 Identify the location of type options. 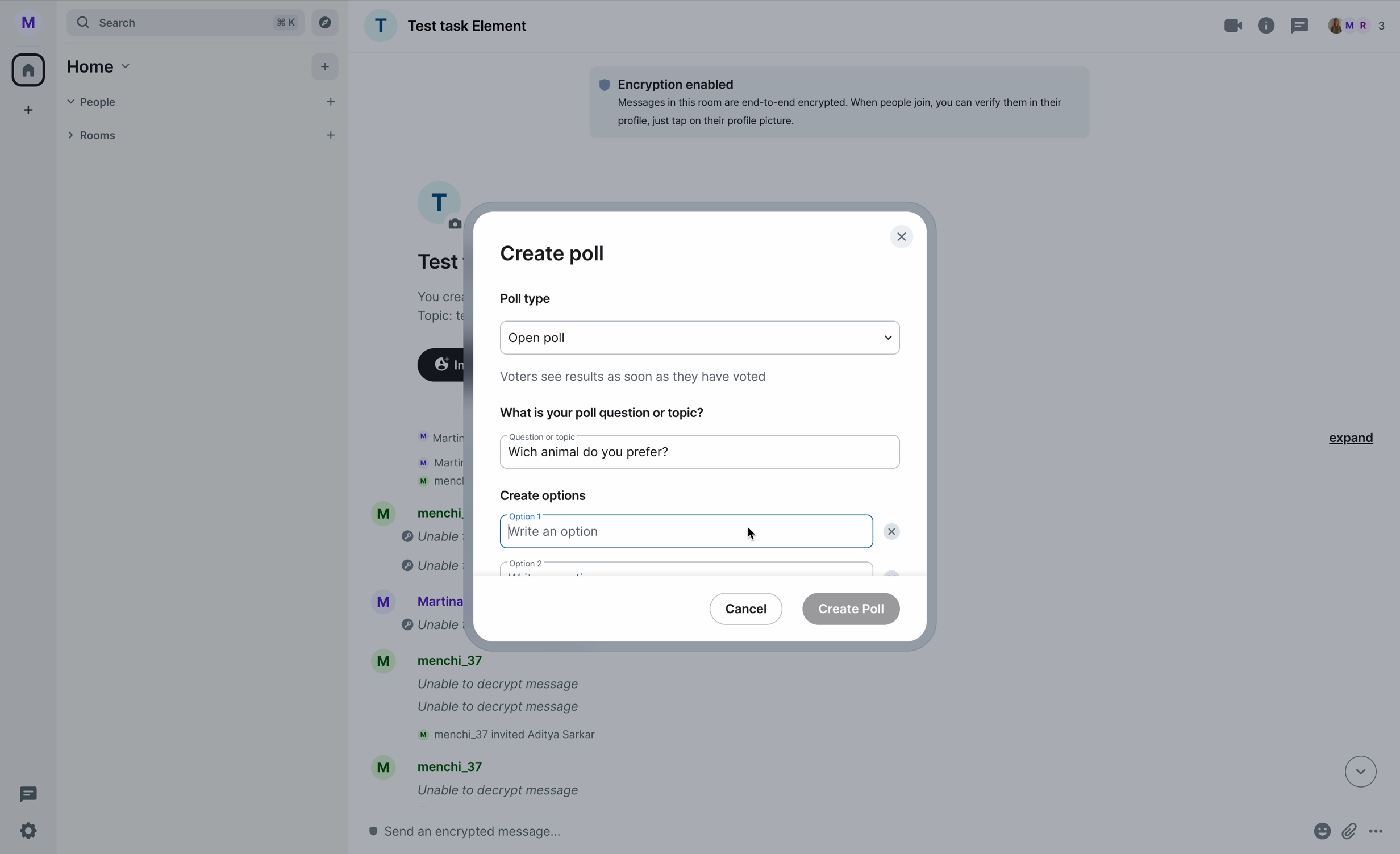
(702, 338).